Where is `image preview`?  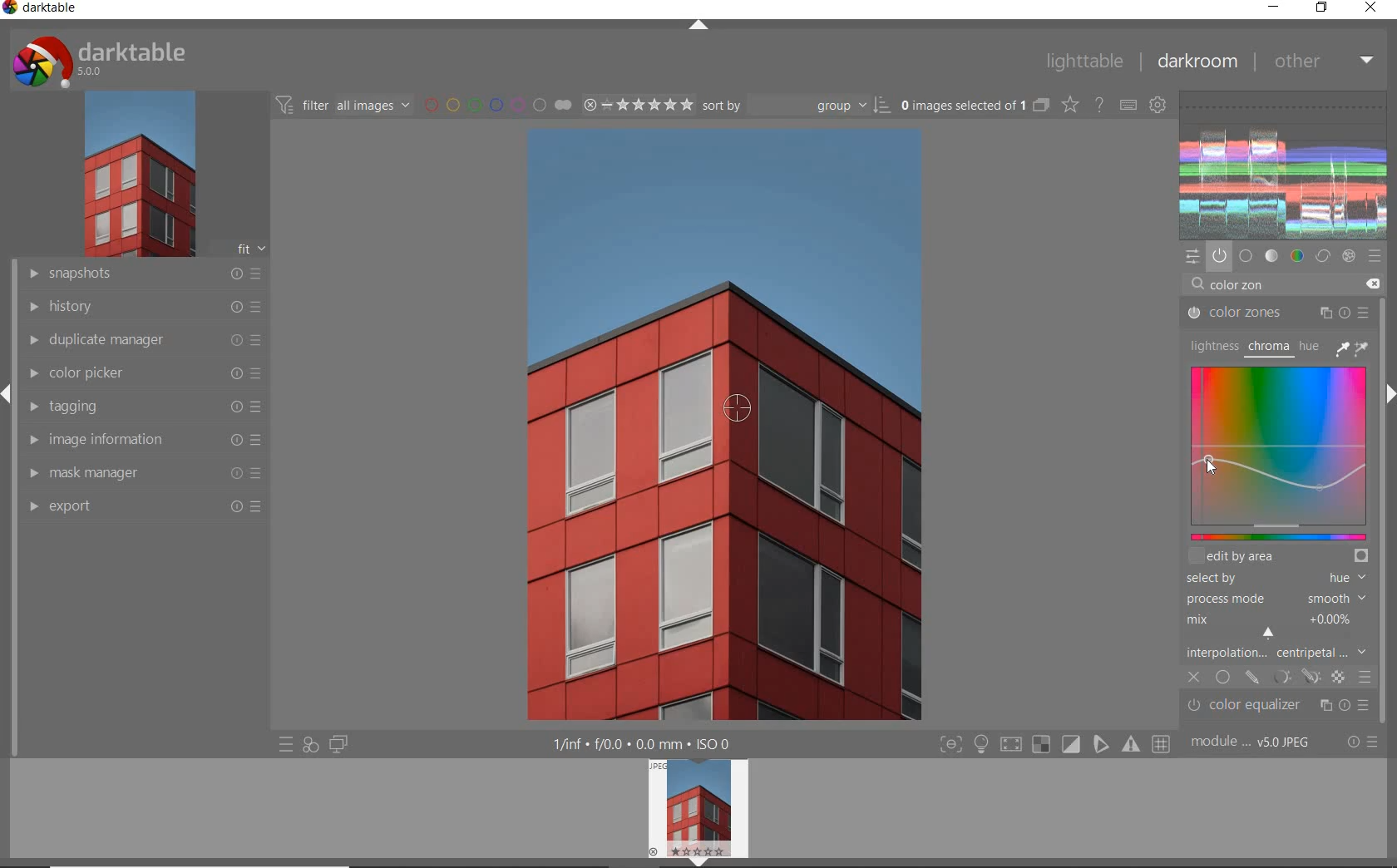
image preview is located at coordinates (694, 803).